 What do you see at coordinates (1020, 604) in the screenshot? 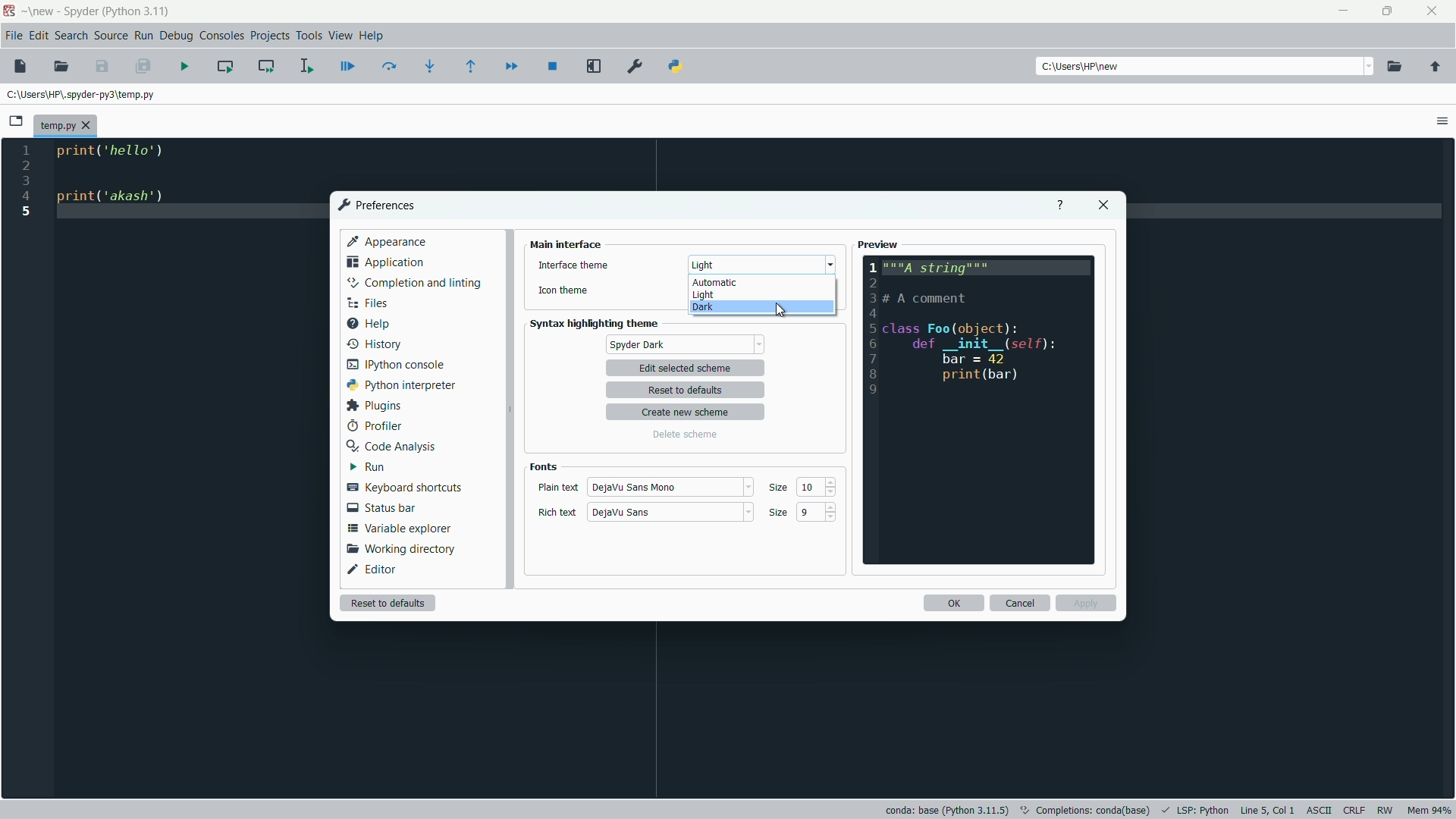
I see `cancel` at bounding box center [1020, 604].